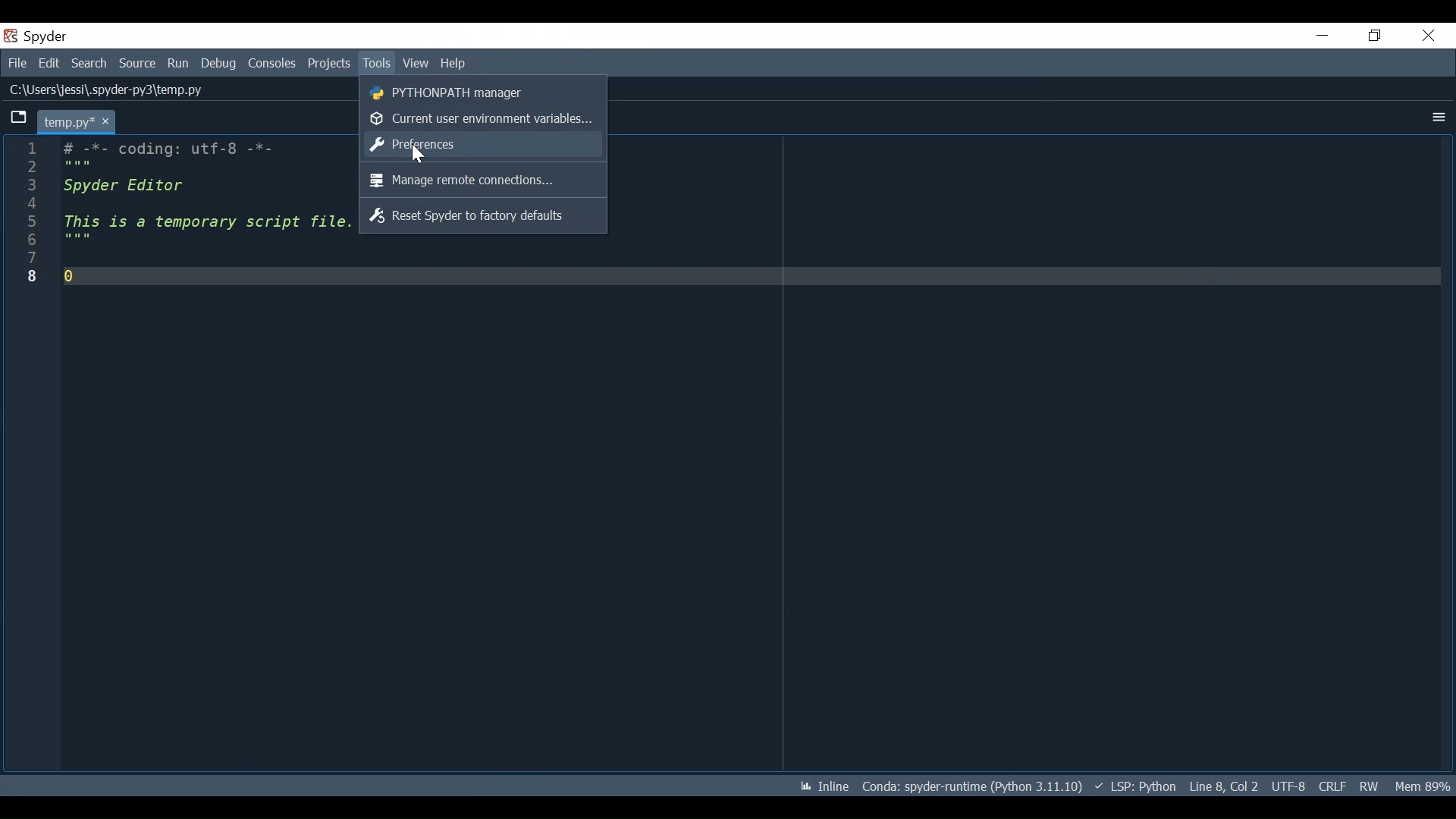  I want to click on Language, so click(1135, 785).